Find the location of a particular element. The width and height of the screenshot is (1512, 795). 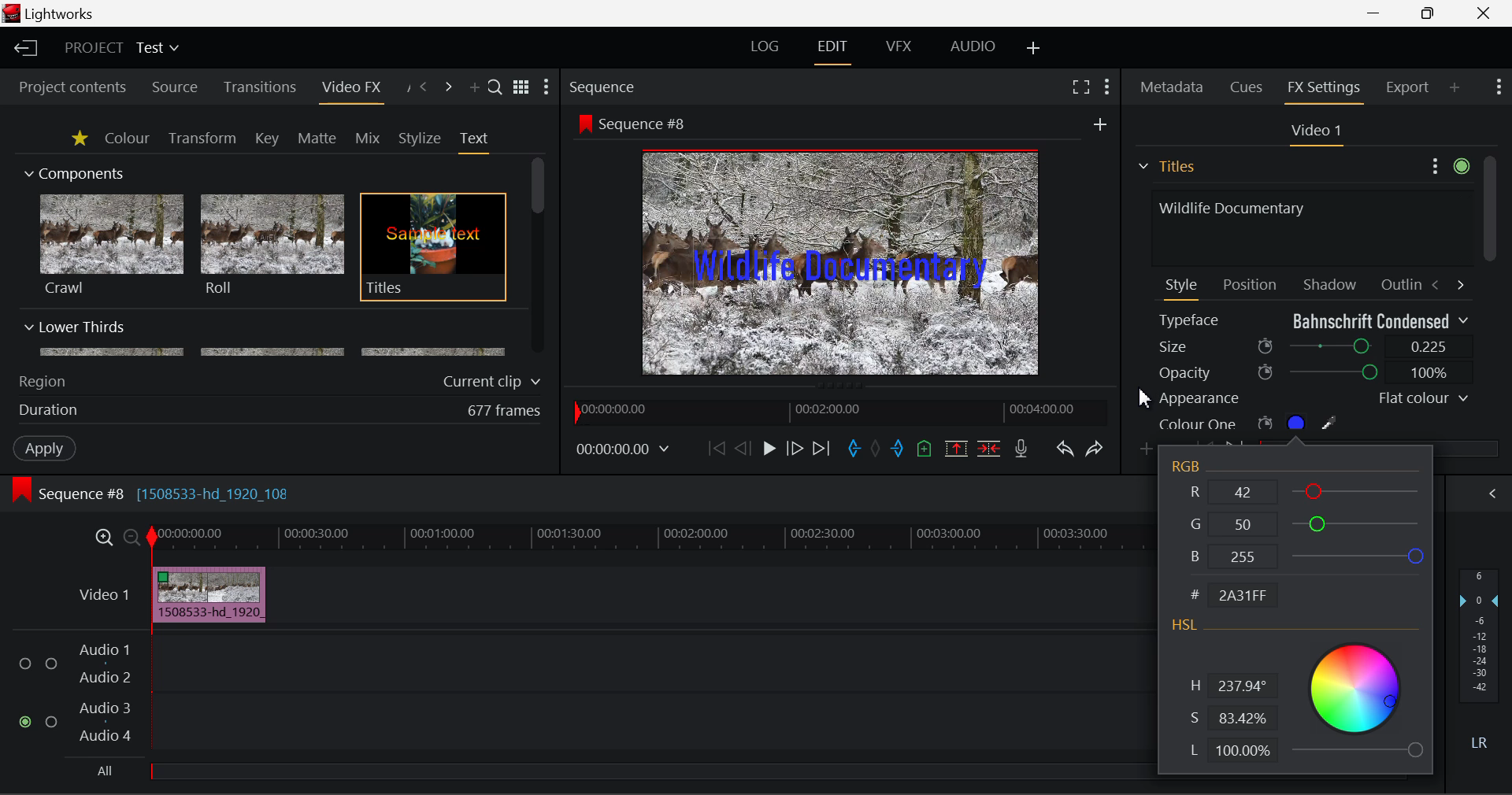

Lightworks is located at coordinates (61, 13).